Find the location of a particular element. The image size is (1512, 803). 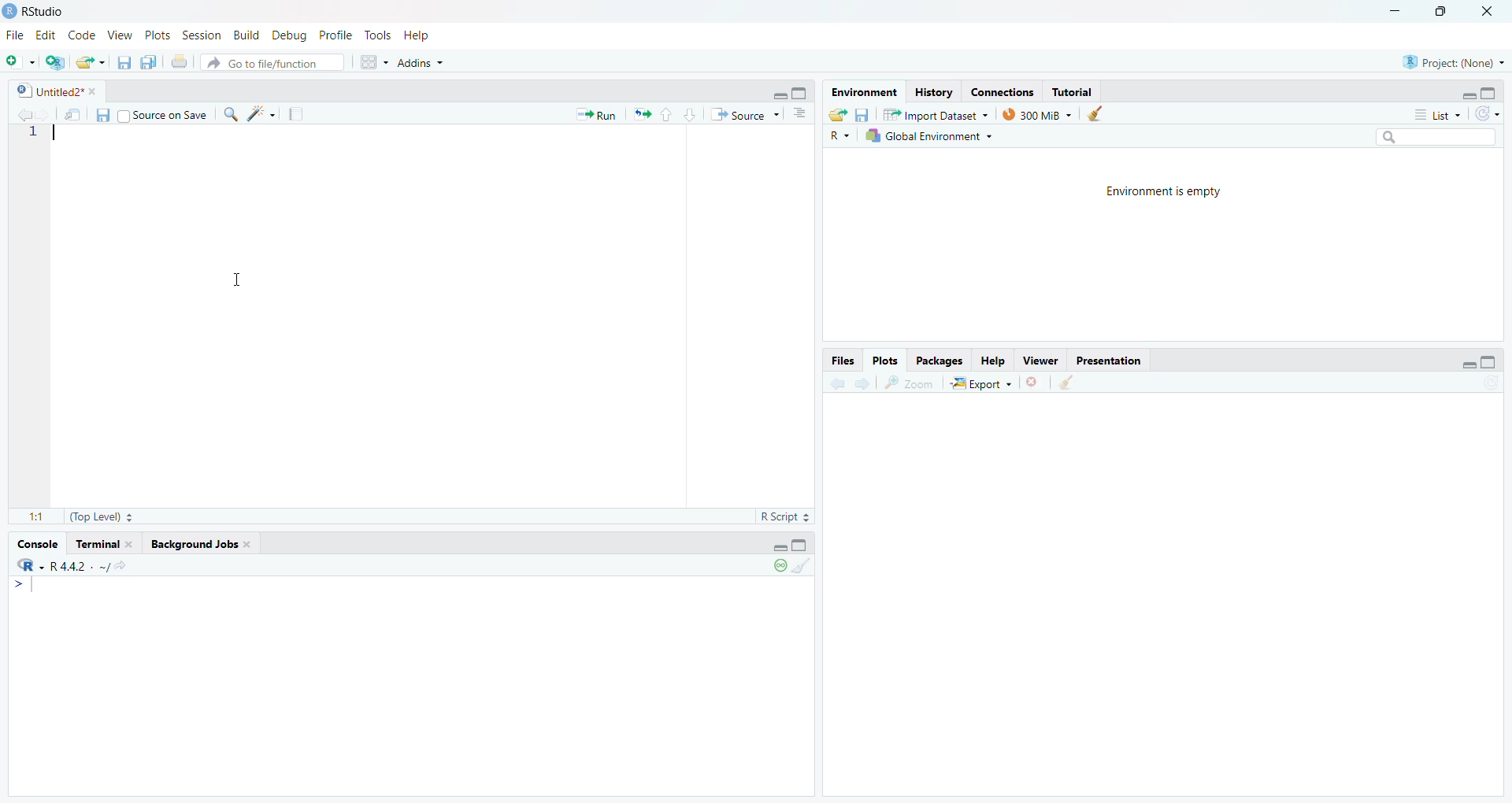

File is located at coordinates (15, 37).